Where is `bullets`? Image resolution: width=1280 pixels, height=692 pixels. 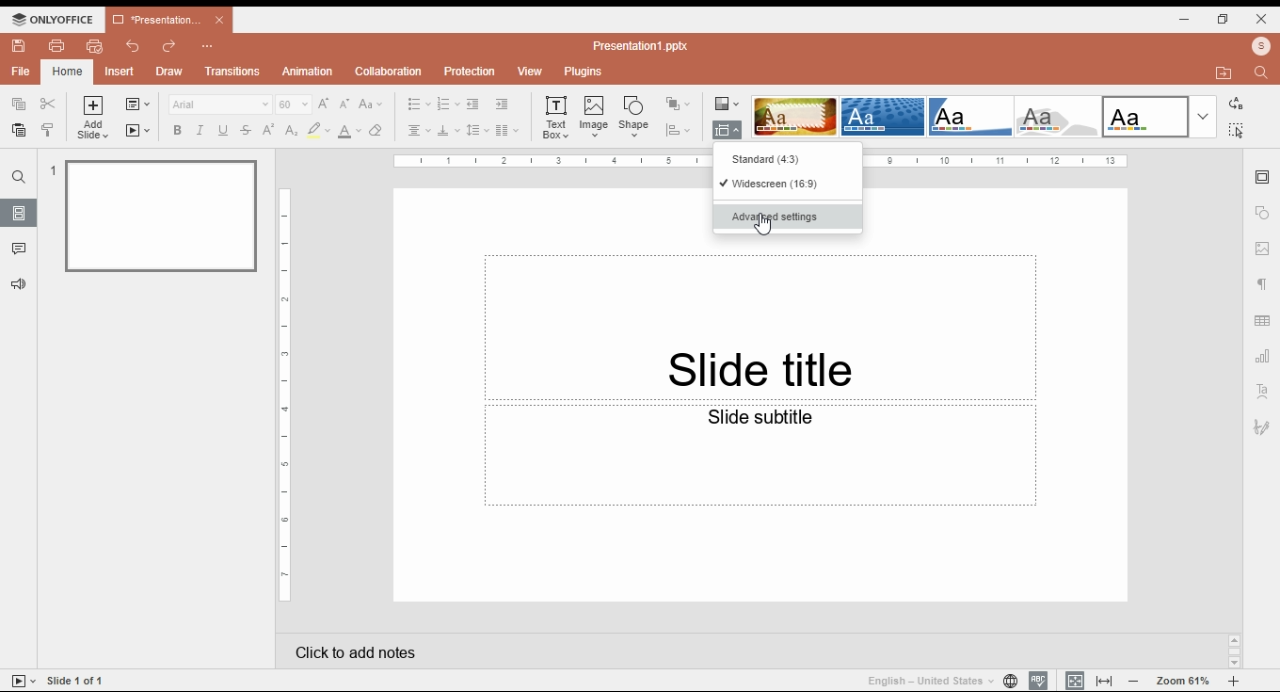 bullets is located at coordinates (419, 104).